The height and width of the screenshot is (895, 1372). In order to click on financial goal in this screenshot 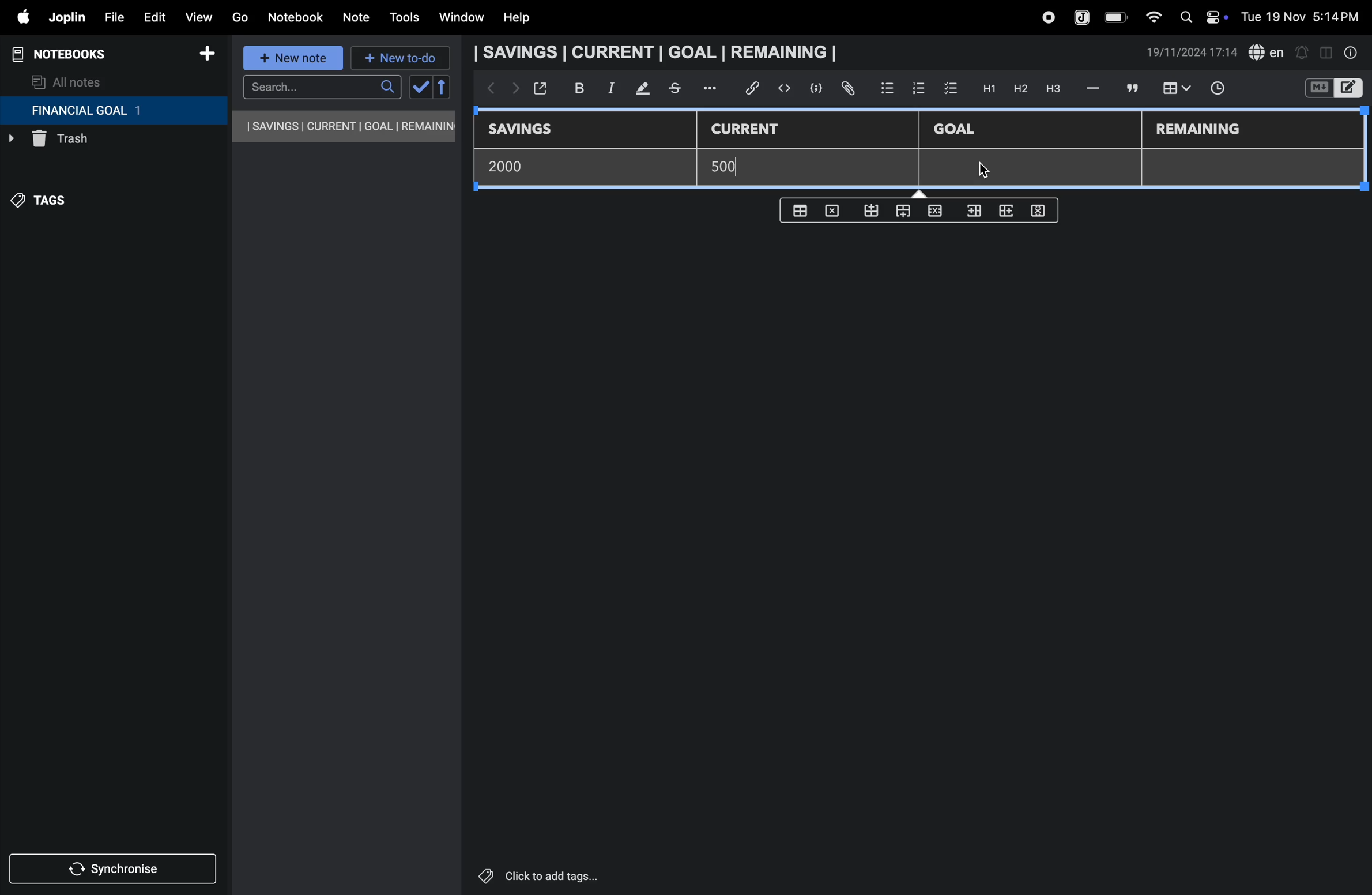, I will do `click(113, 111)`.